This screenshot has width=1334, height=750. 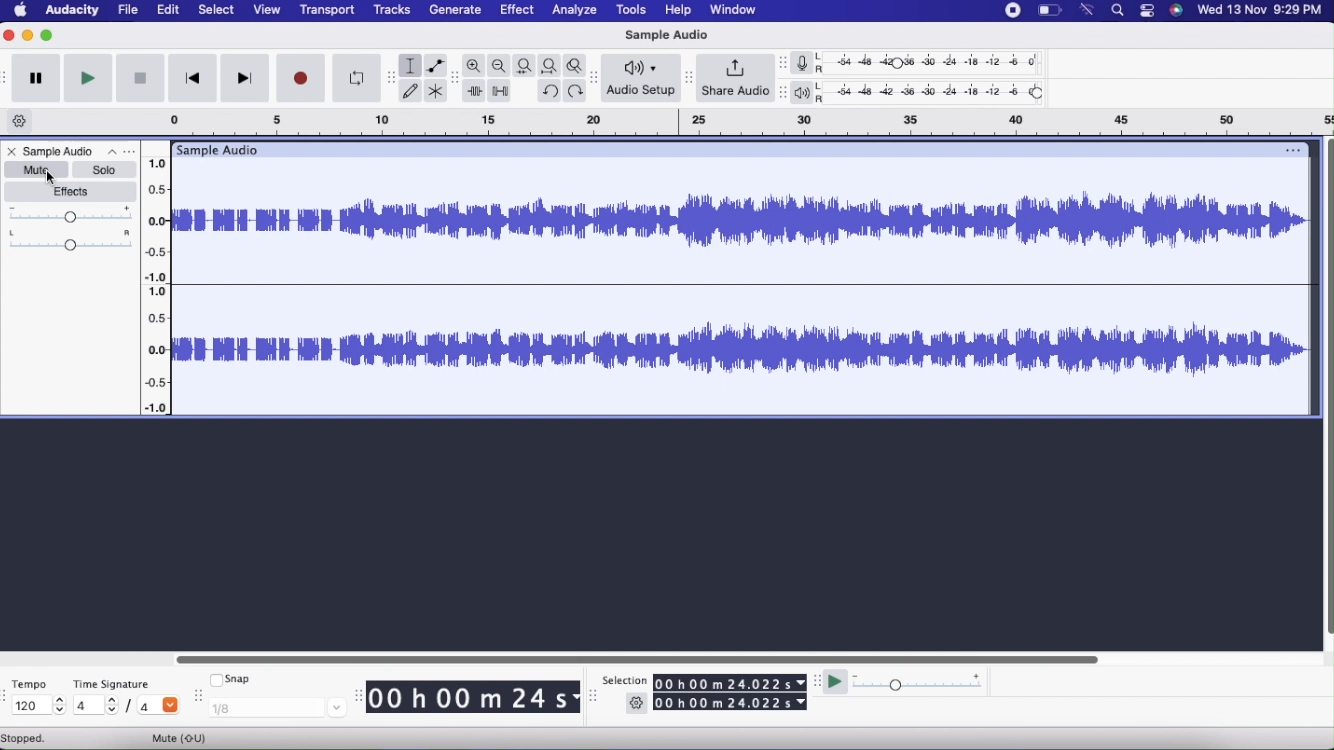 What do you see at coordinates (411, 90) in the screenshot?
I see `Draw tool` at bounding box center [411, 90].